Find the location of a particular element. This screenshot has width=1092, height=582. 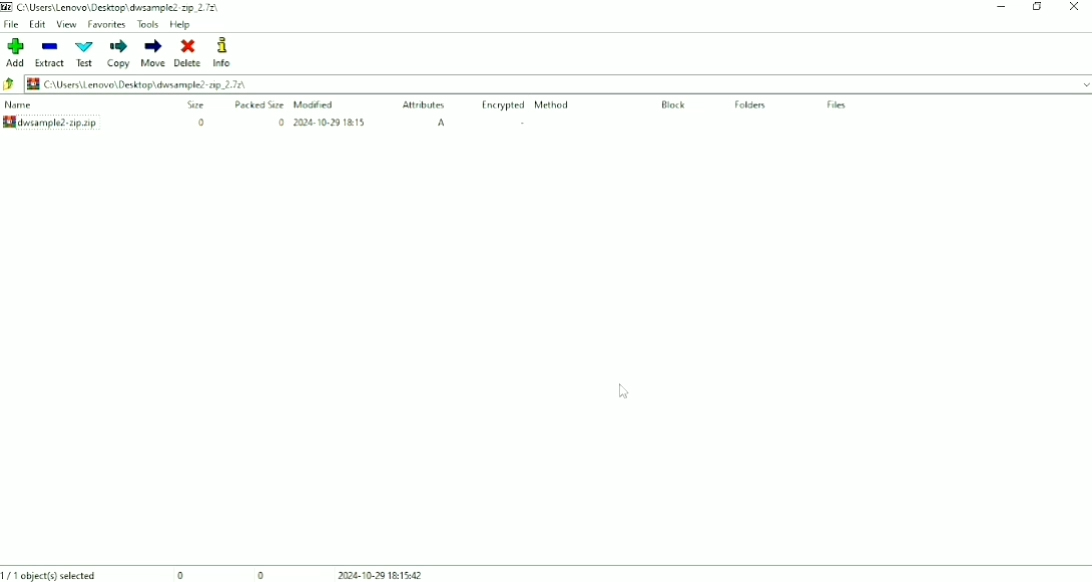

Move is located at coordinates (152, 53).